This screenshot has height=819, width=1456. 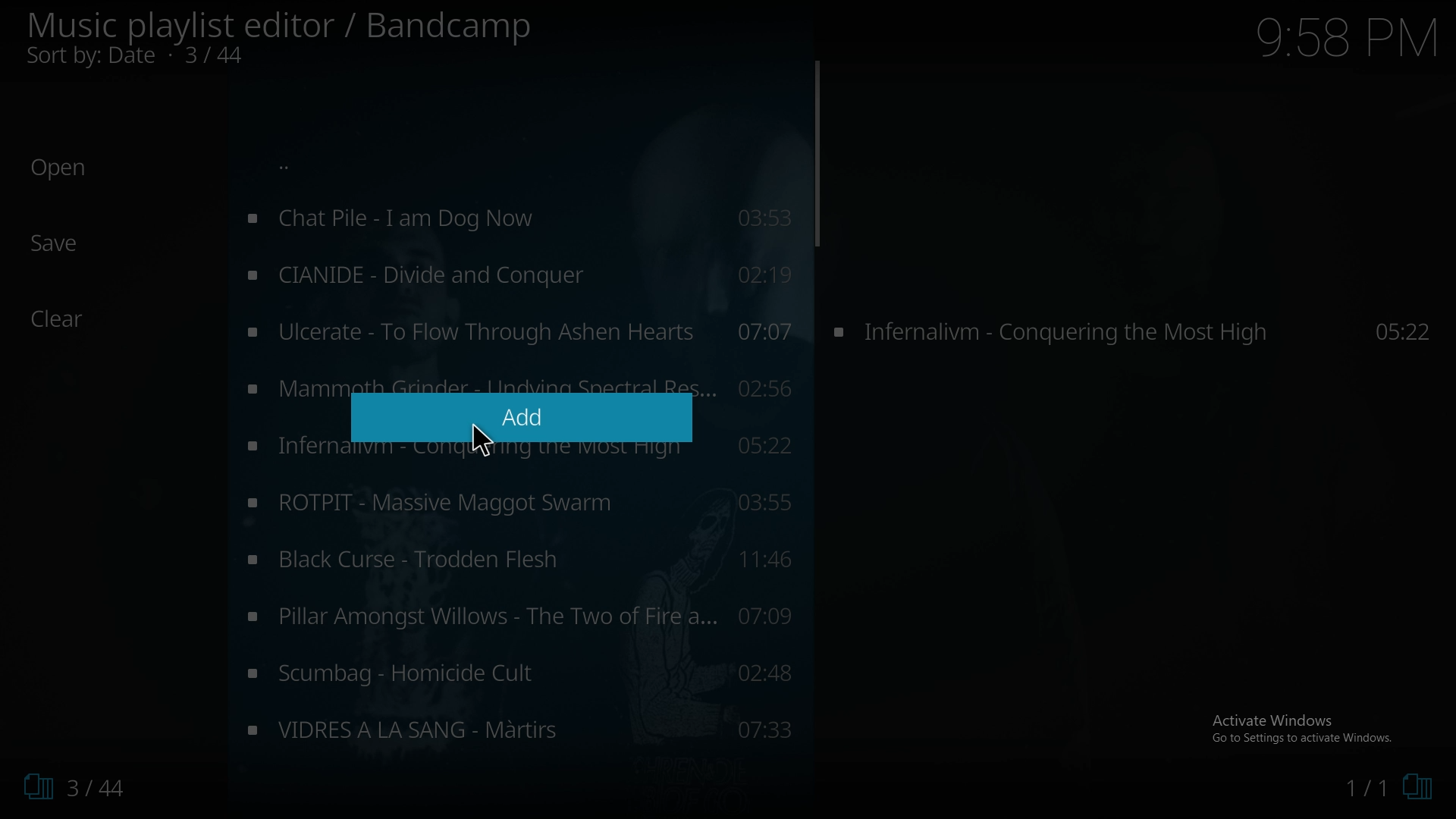 What do you see at coordinates (281, 26) in the screenshot?
I see `Music playlist editor / Bandcamp` at bounding box center [281, 26].